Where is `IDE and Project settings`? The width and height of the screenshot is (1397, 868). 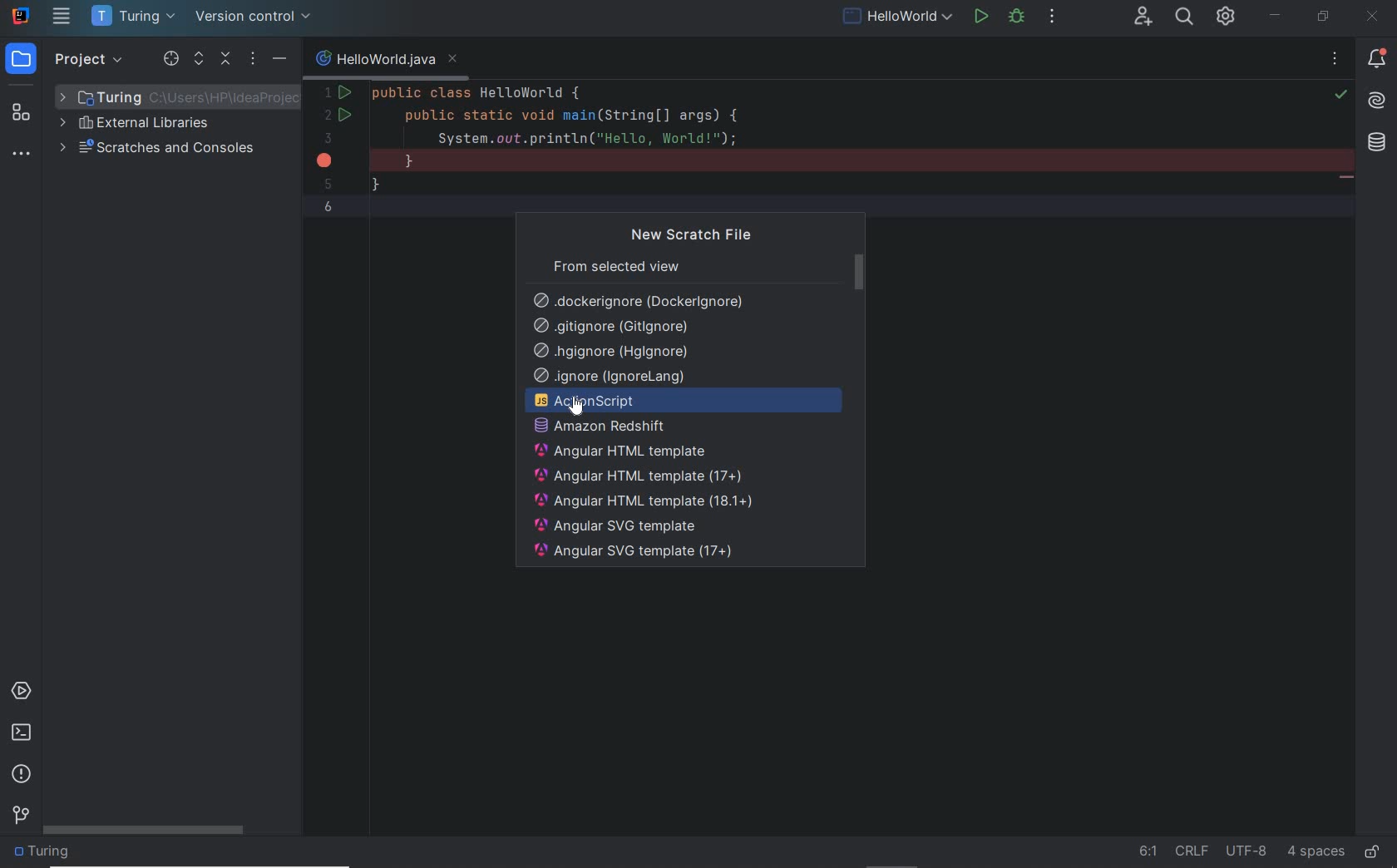 IDE and Project settings is located at coordinates (1227, 18).